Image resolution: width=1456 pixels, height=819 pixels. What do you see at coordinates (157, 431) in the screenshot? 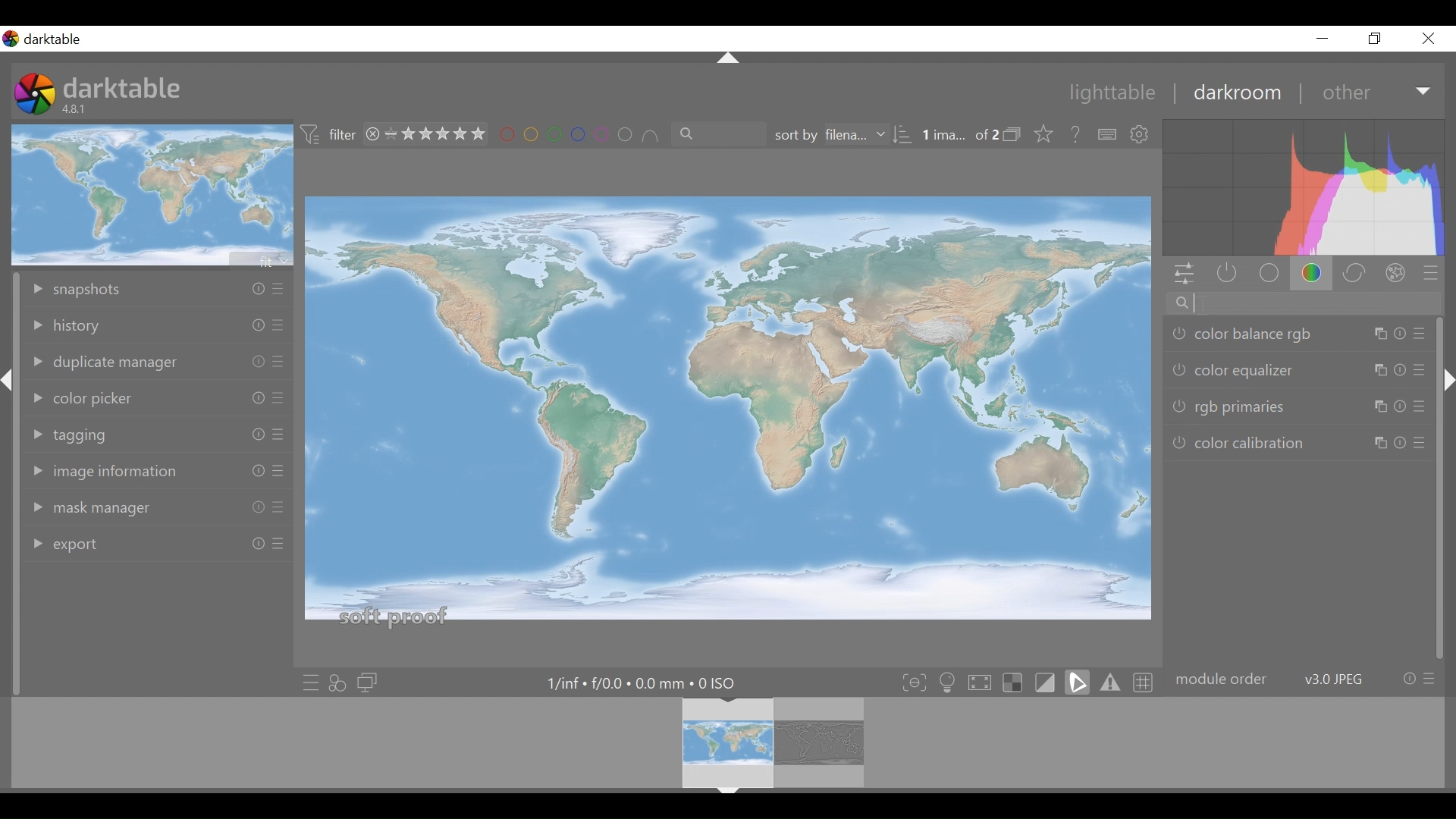
I see `tagging` at bounding box center [157, 431].